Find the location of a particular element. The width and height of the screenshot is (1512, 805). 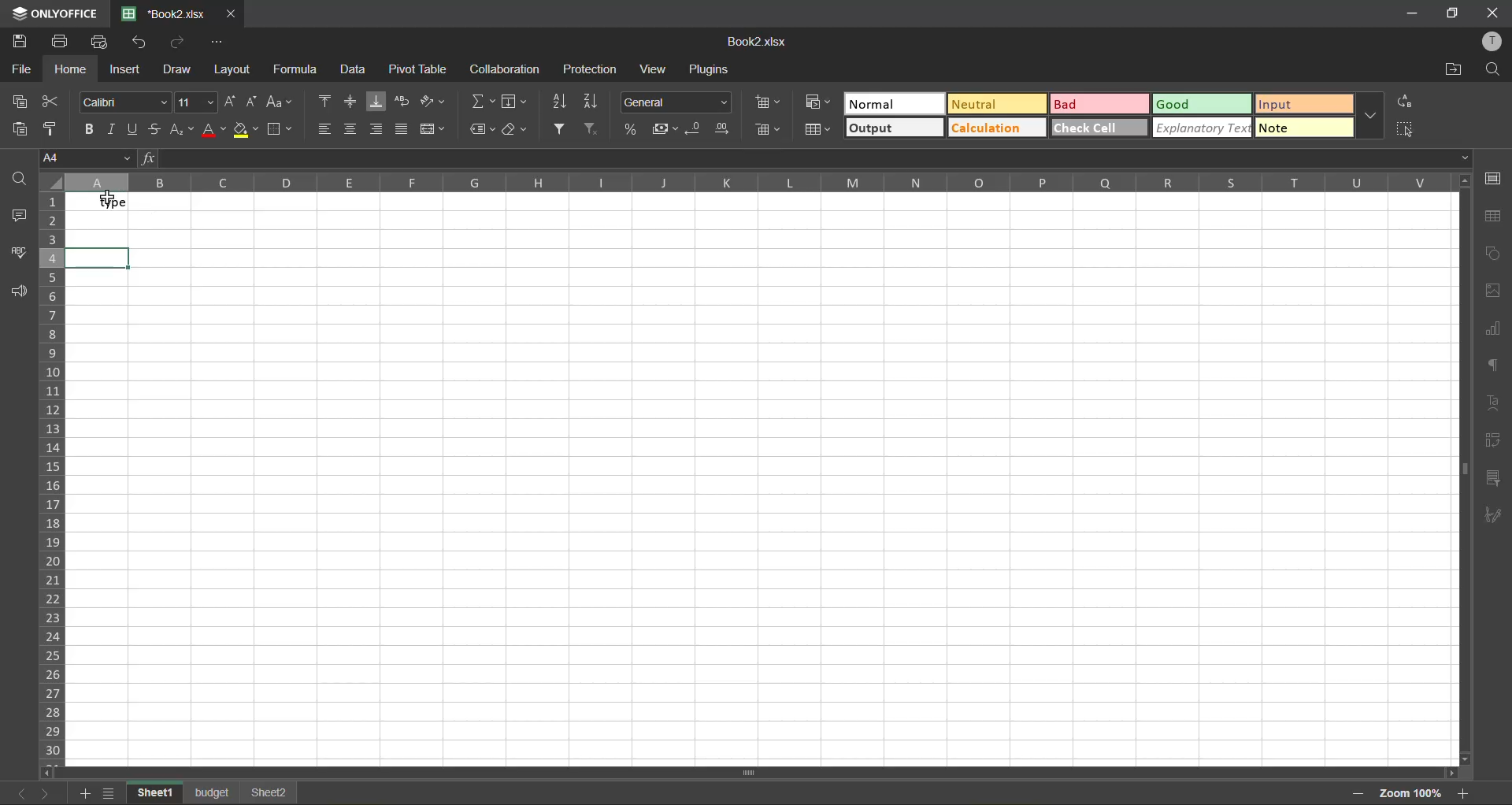

output is located at coordinates (892, 128).